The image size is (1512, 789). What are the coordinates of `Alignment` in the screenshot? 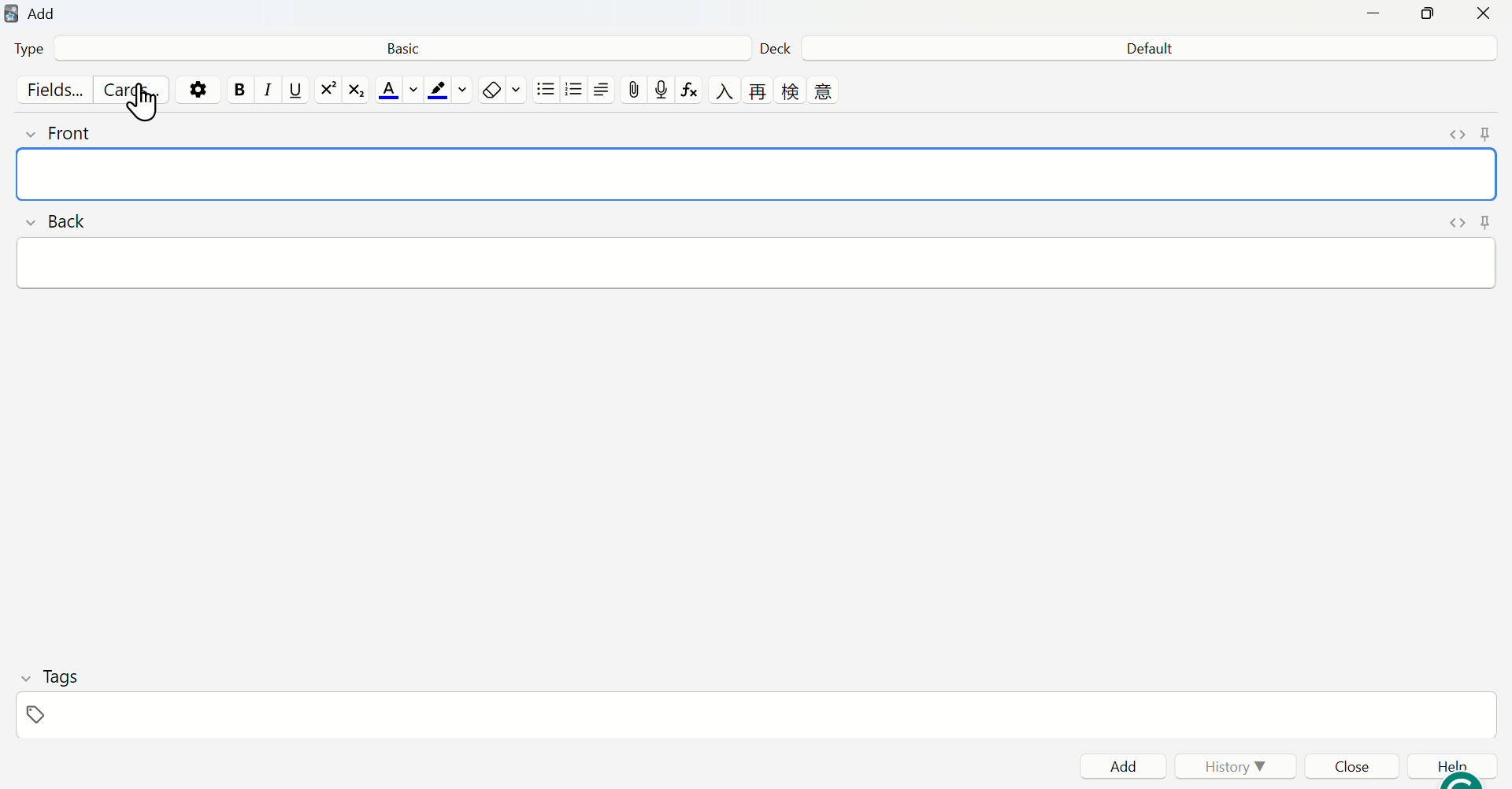 It's located at (601, 91).